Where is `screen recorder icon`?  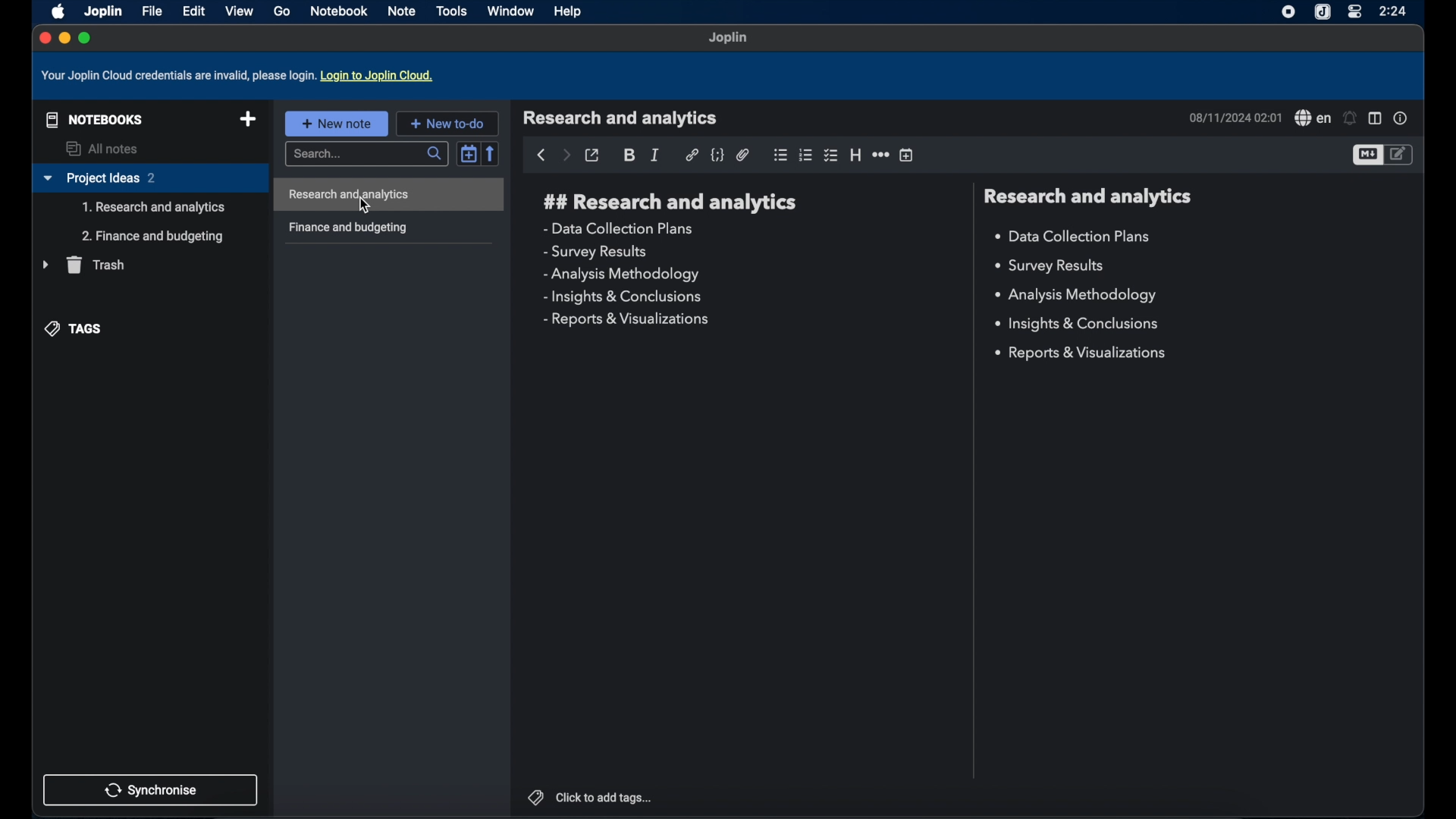
screen recorder icon is located at coordinates (1285, 12).